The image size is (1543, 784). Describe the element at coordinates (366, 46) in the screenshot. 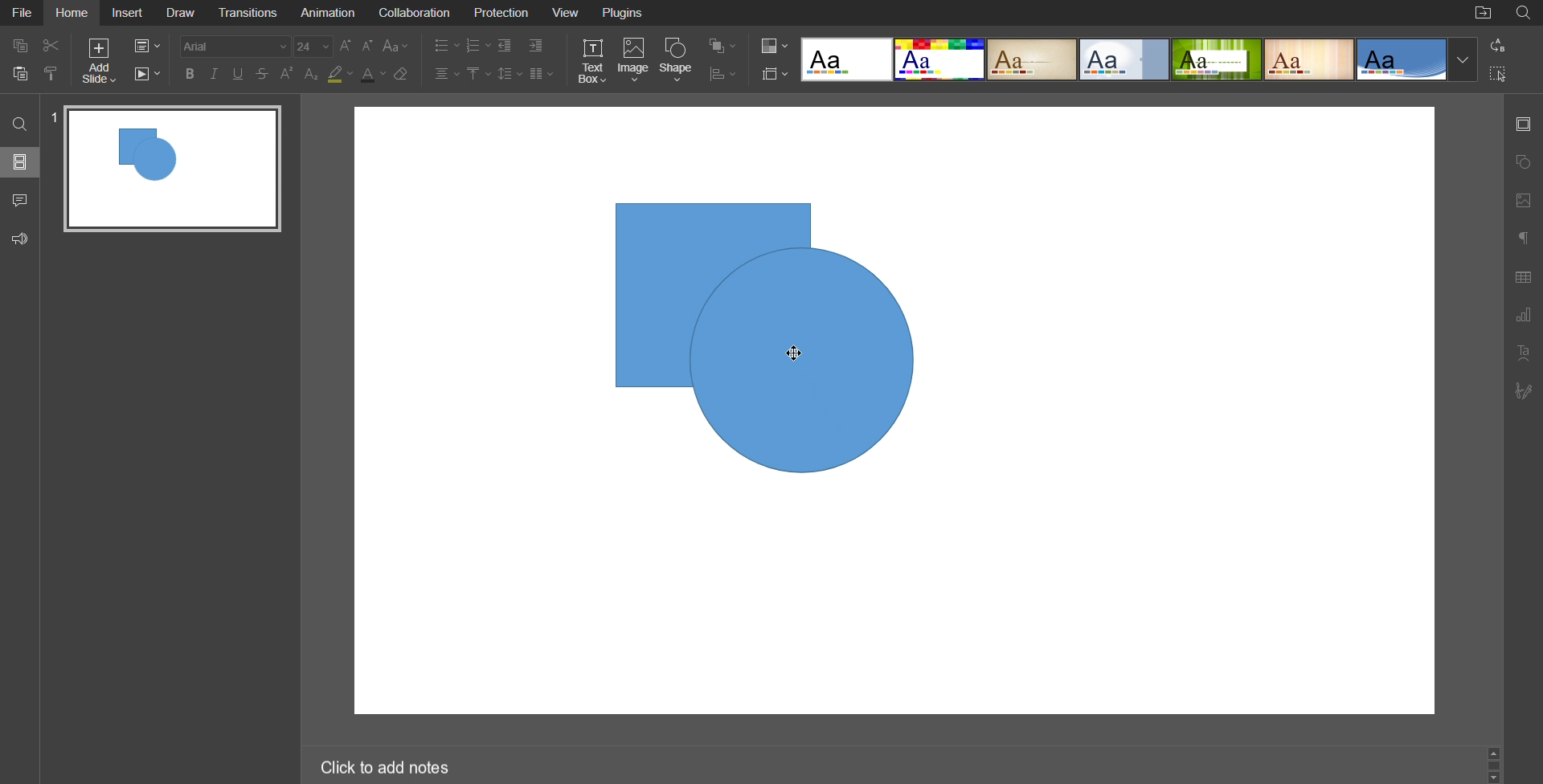

I see `Decrease Font` at that location.